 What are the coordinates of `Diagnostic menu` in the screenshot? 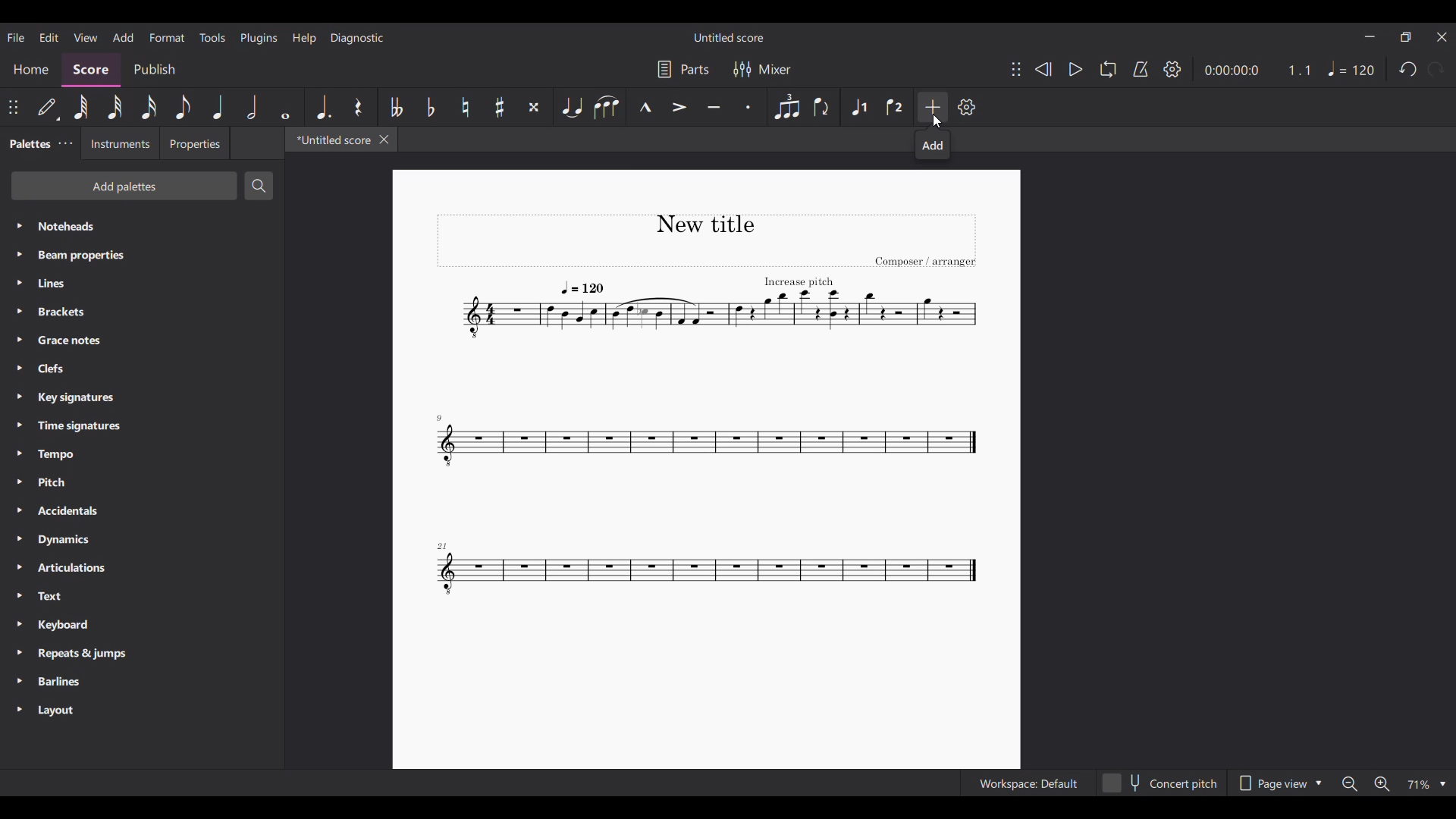 It's located at (357, 38).